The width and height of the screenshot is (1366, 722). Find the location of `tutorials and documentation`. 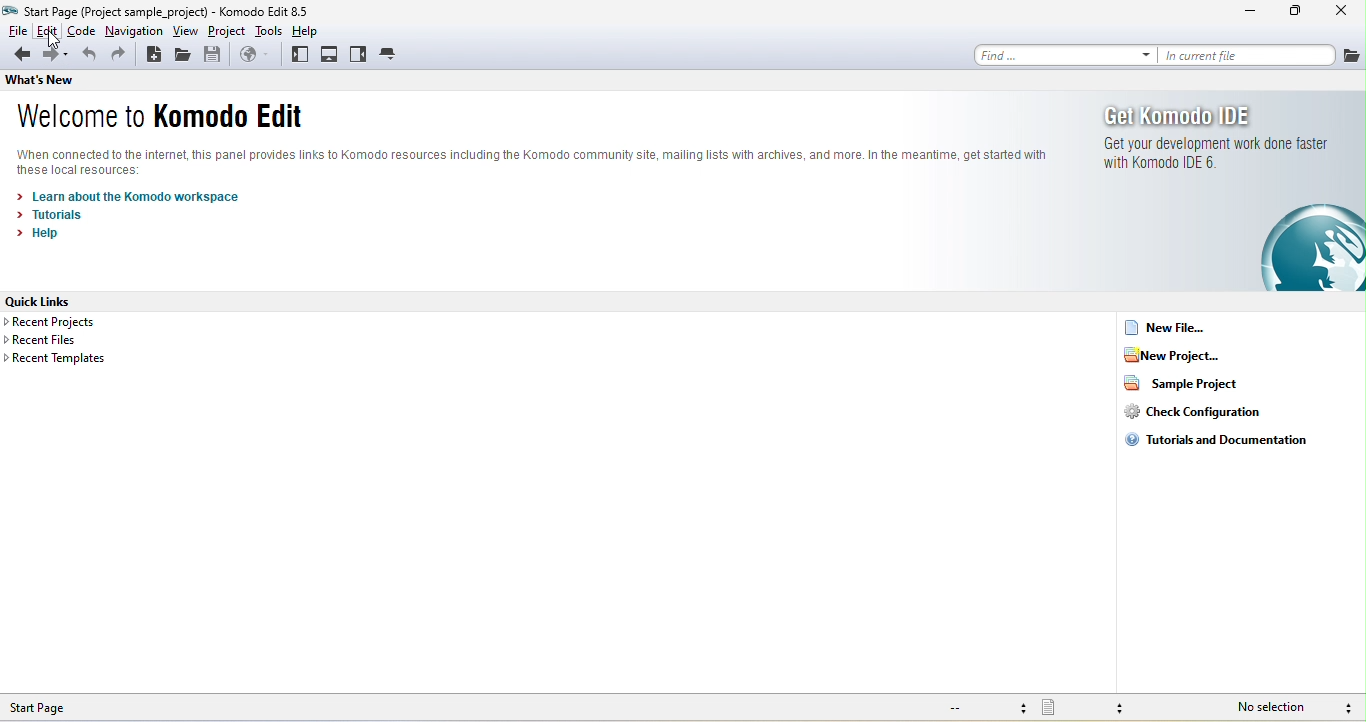

tutorials and documentation is located at coordinates (1225, 447).